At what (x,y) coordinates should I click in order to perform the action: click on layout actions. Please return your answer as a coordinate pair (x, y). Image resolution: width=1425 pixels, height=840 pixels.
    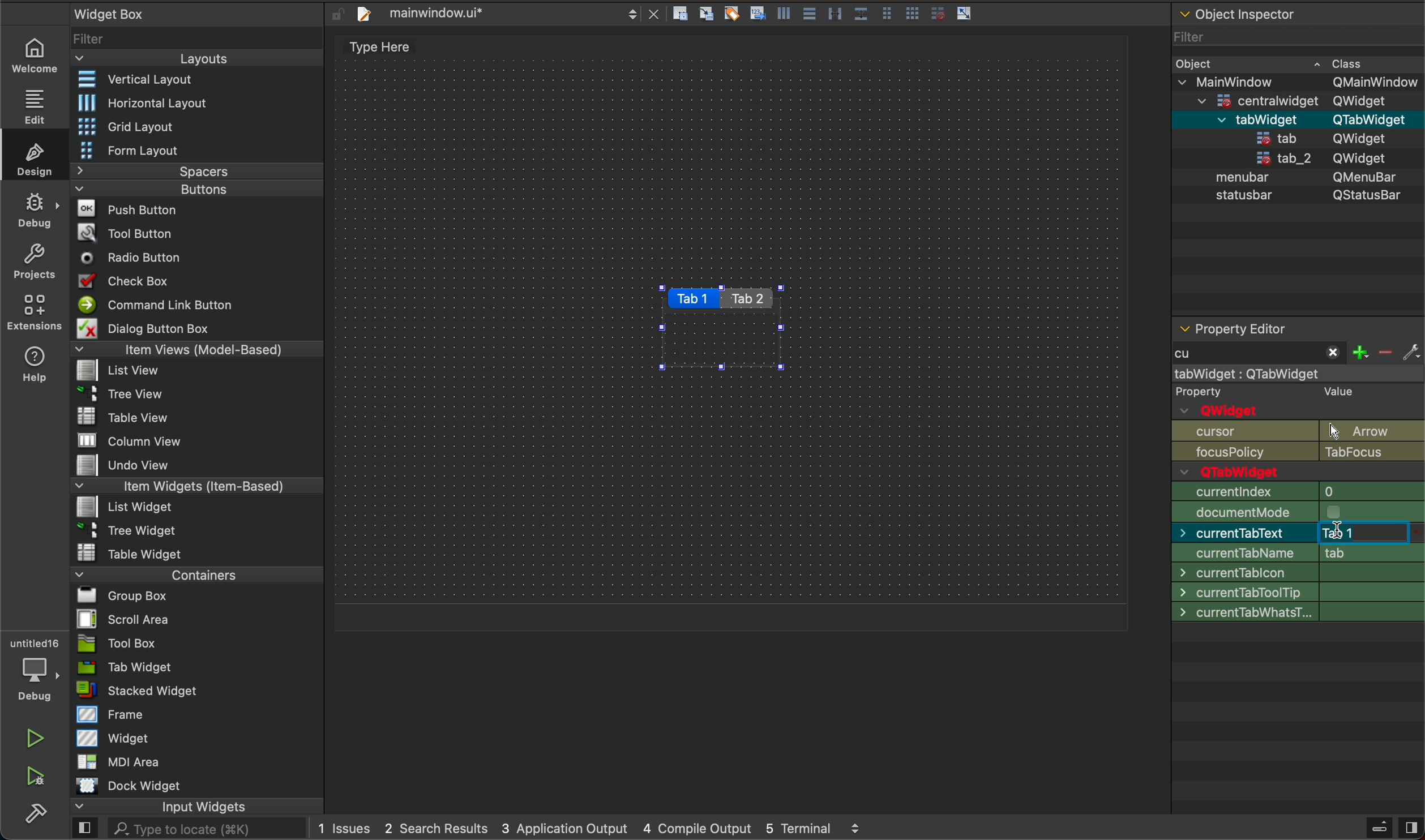
    Looking at the image, I should click on (872, 12).